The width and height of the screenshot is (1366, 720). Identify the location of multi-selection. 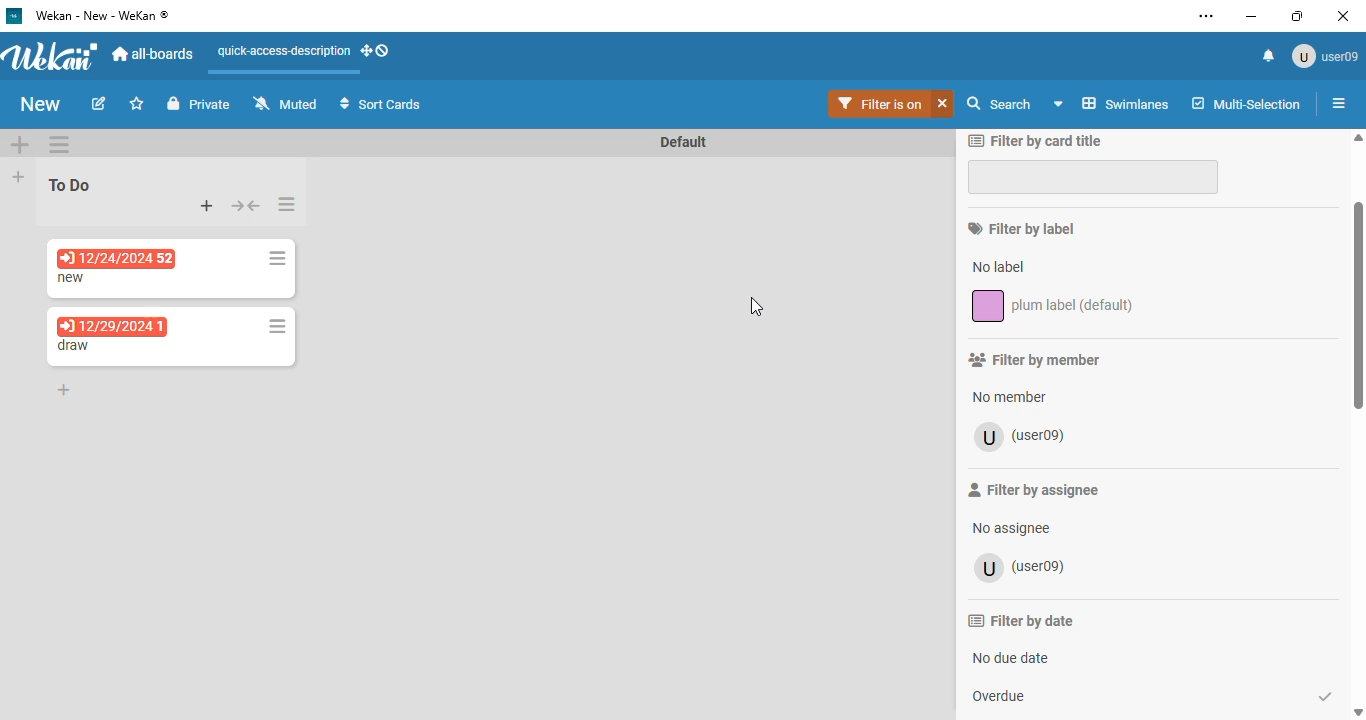
(1246, 103).